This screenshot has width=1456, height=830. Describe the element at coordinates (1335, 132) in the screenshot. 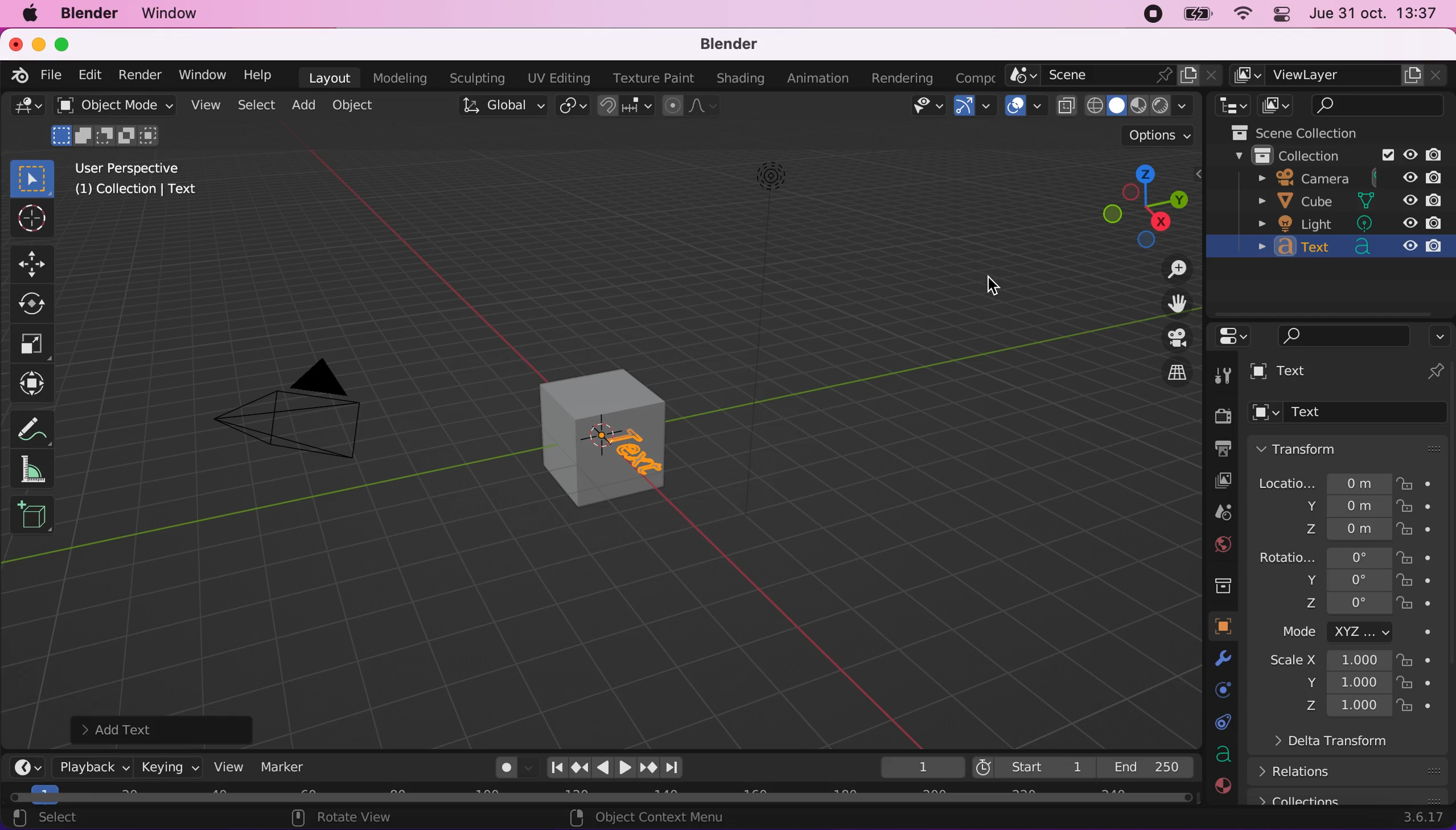

I see `scene collection` at that location.